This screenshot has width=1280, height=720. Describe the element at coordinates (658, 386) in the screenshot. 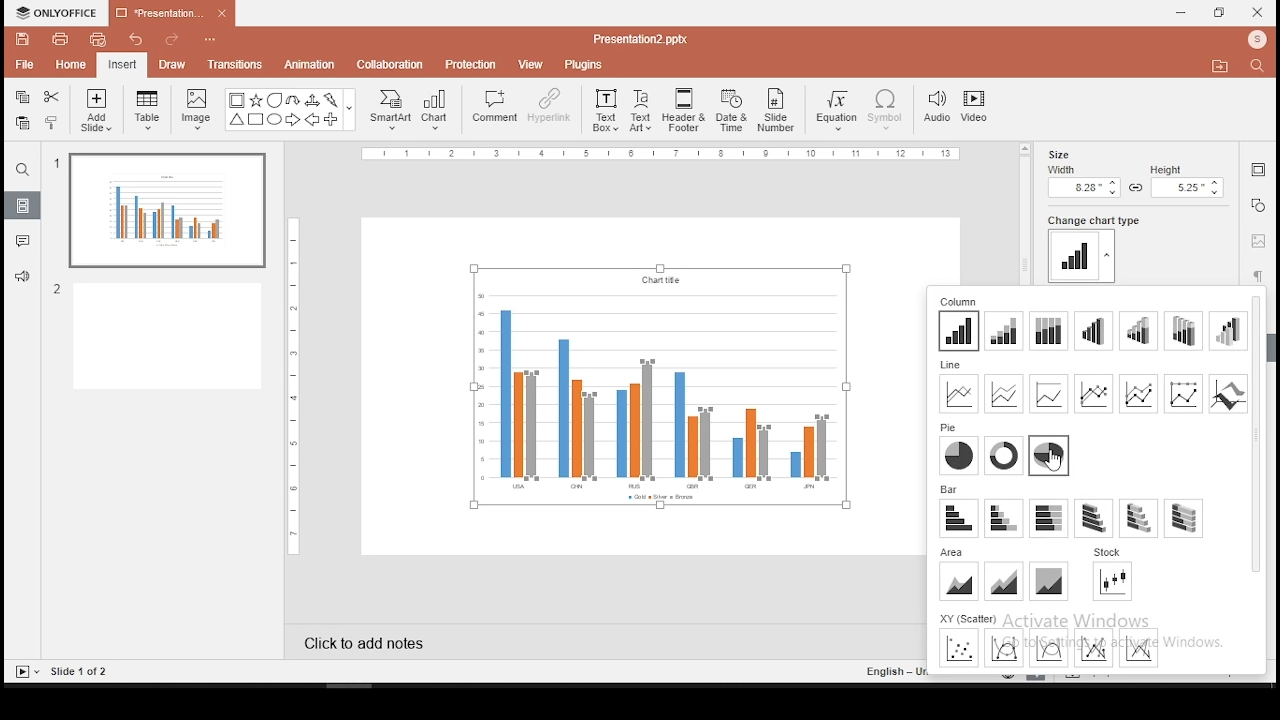

I see `bar chart` at that location.